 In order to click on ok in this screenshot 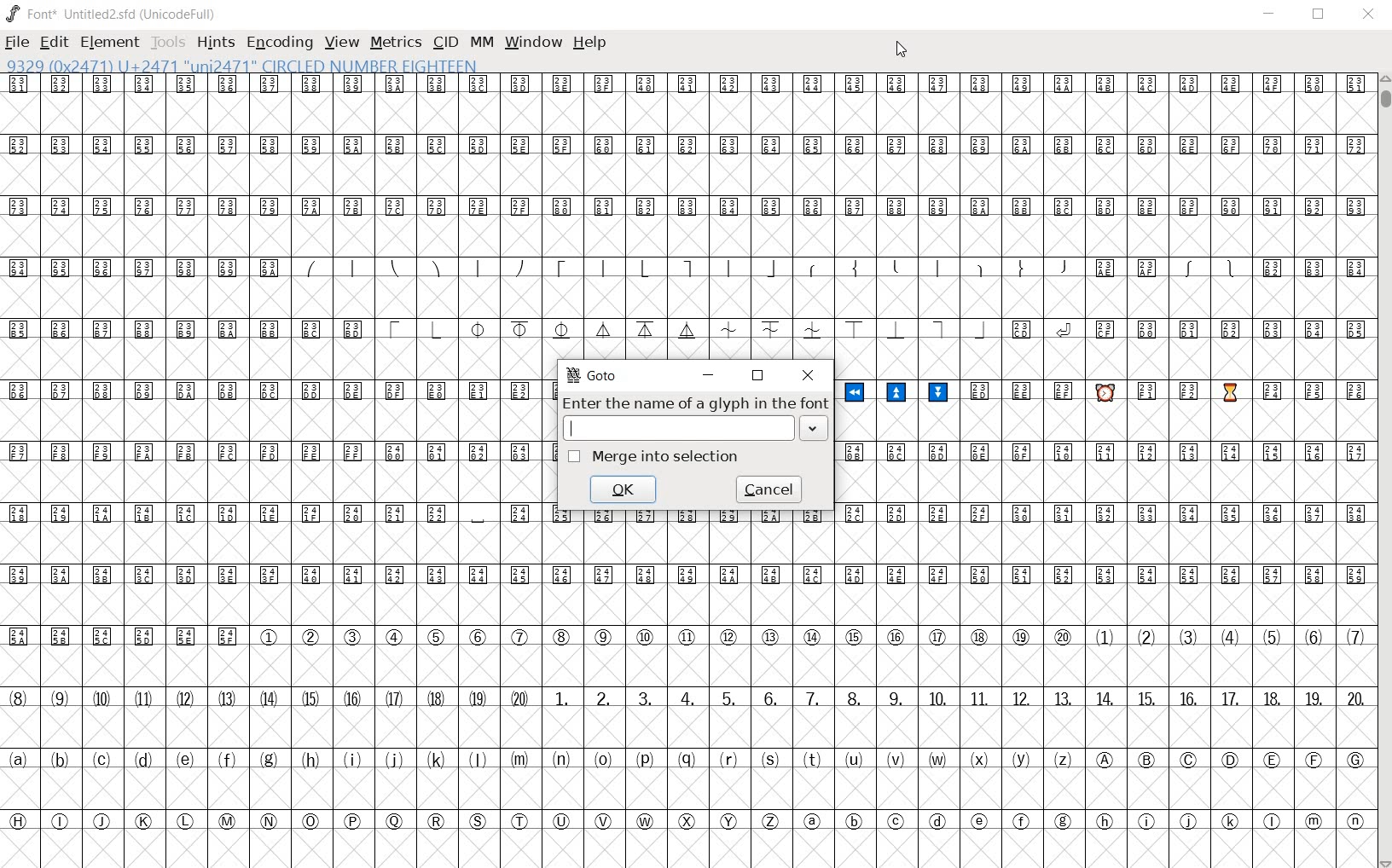, I will do `click(623, 488)`.